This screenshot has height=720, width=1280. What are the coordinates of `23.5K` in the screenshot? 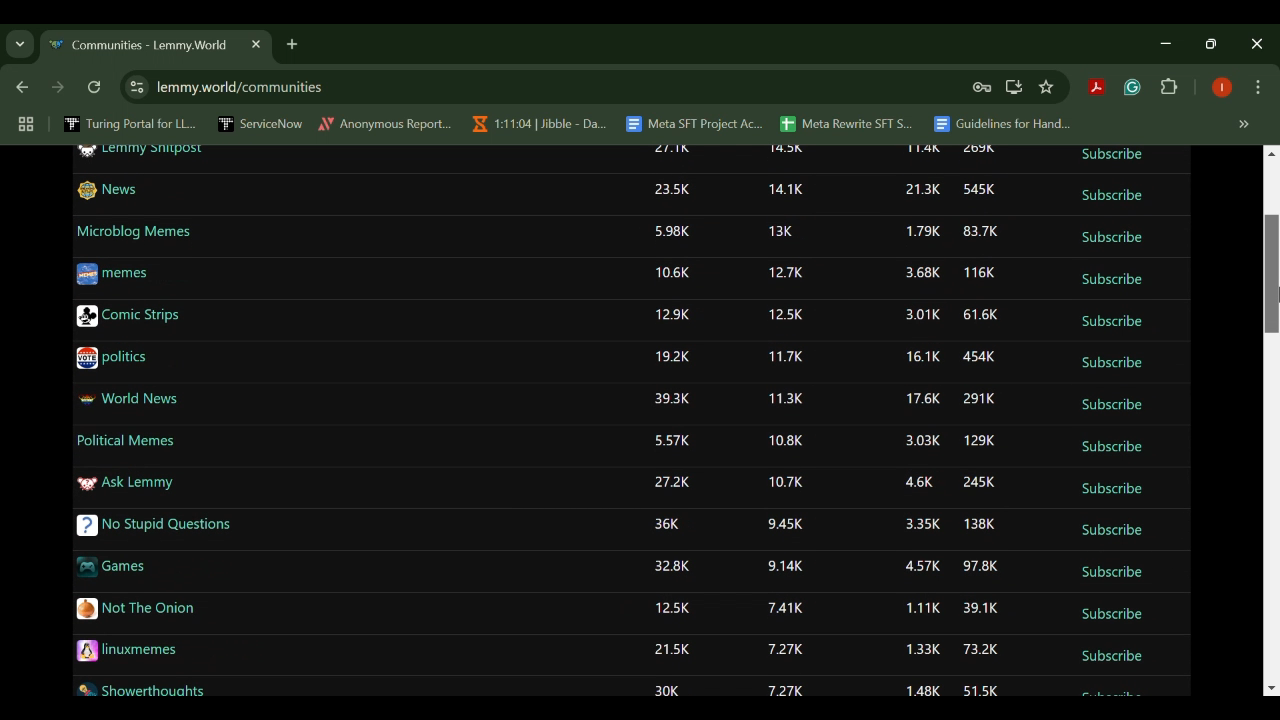 It's located at (674, 190).